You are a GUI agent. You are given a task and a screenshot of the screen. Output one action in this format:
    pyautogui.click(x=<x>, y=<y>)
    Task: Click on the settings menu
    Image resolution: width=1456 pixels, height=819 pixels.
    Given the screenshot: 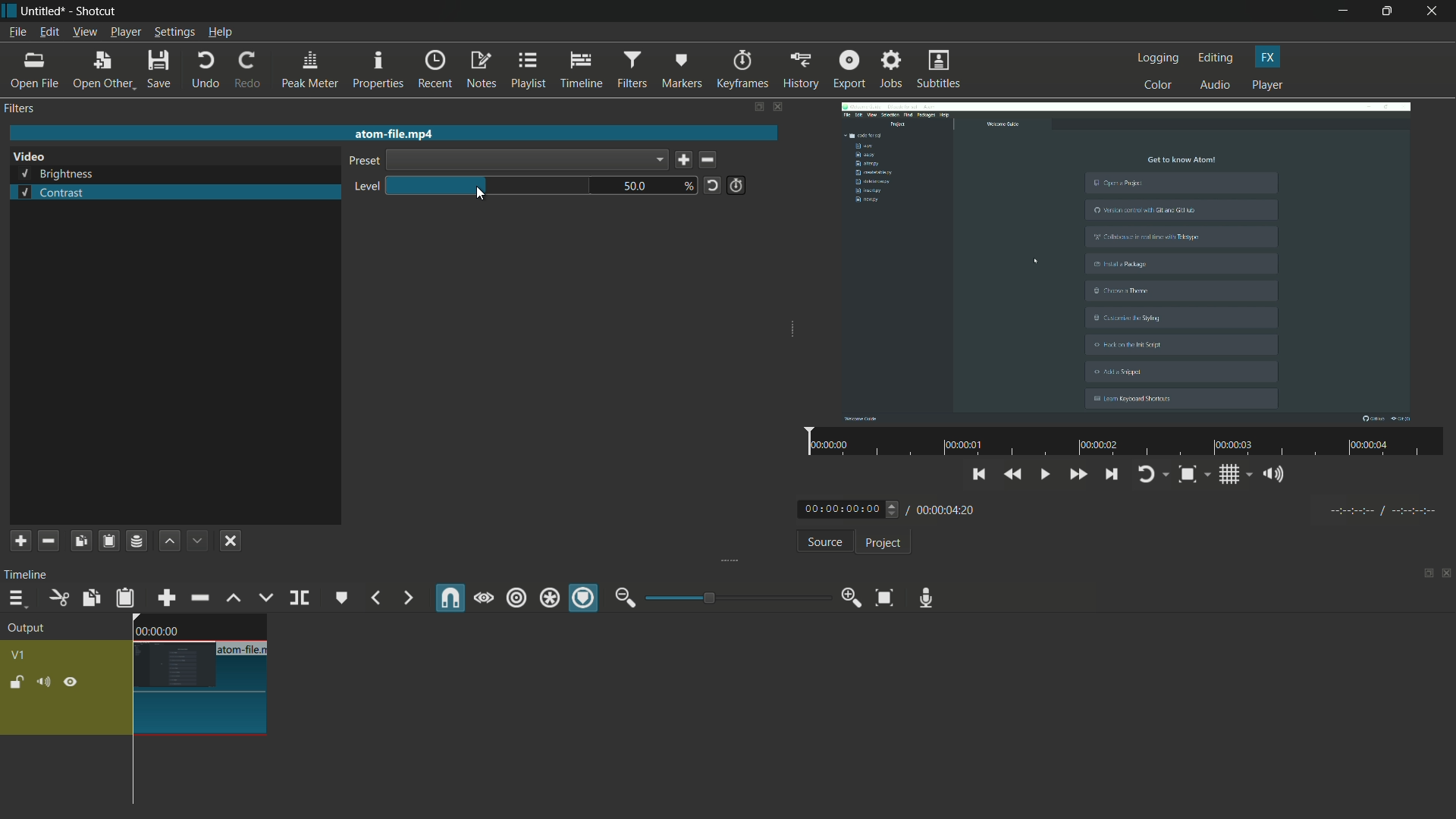 What is the action you would take?
    pyautogui.click(x=175, y=33)
    